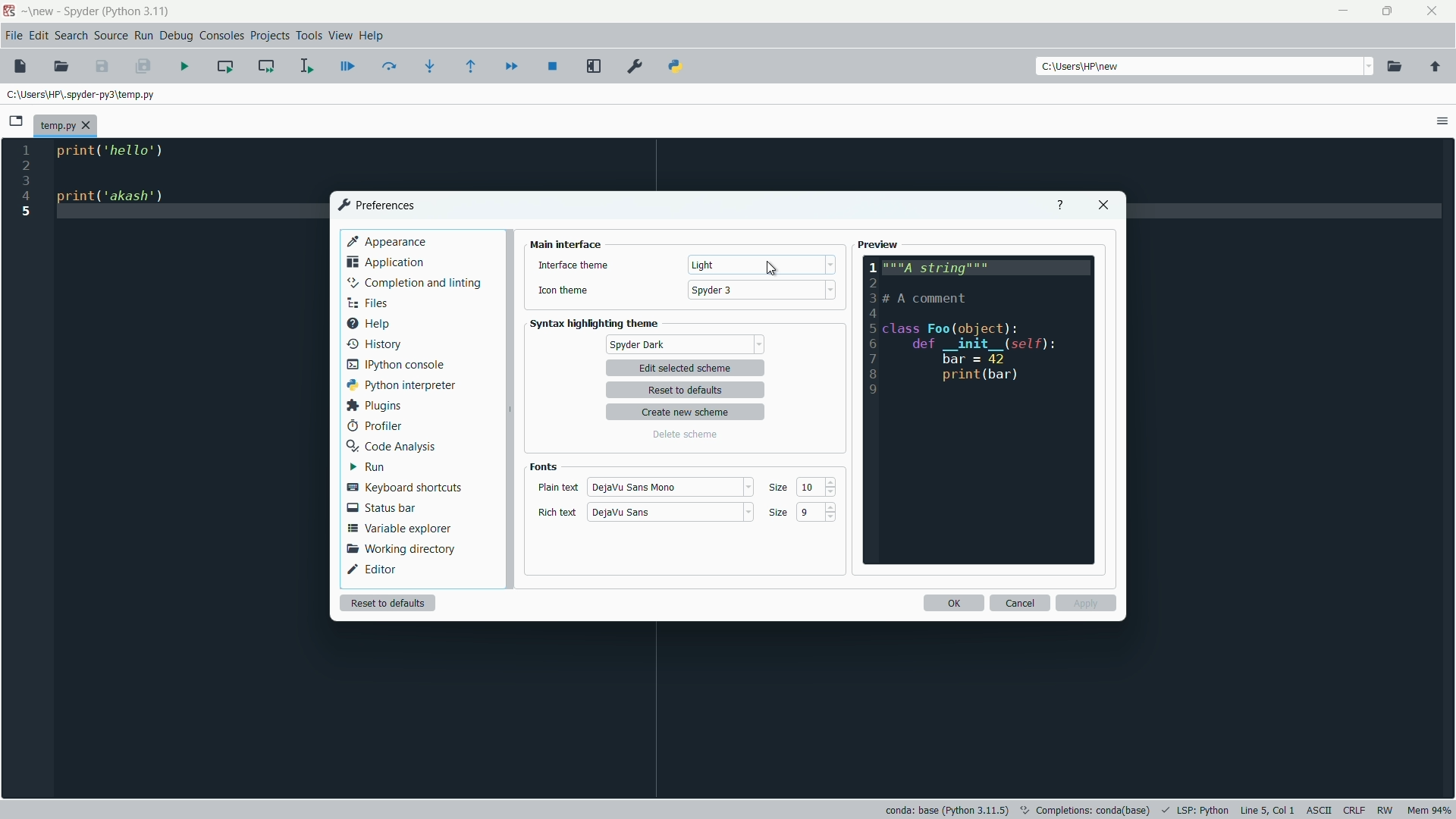 The height and width of the screenshot is (819, 1456). Describe the element at coordinates (145, 35) in the screenshot. I see `run menu` at that location.